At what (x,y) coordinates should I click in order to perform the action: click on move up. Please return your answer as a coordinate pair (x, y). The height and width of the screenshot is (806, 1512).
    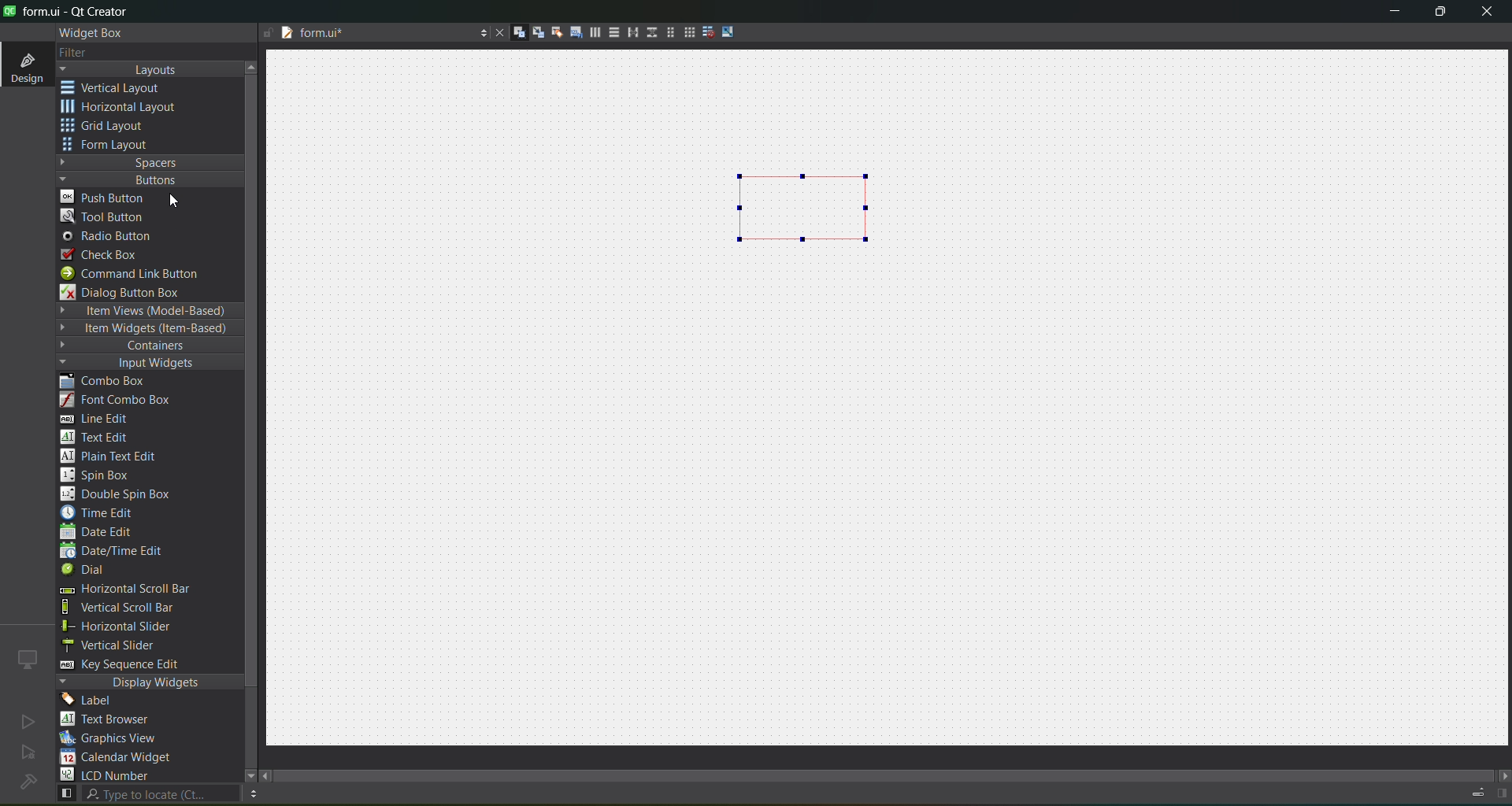
    Looking at the image, I should click on (254, 65).